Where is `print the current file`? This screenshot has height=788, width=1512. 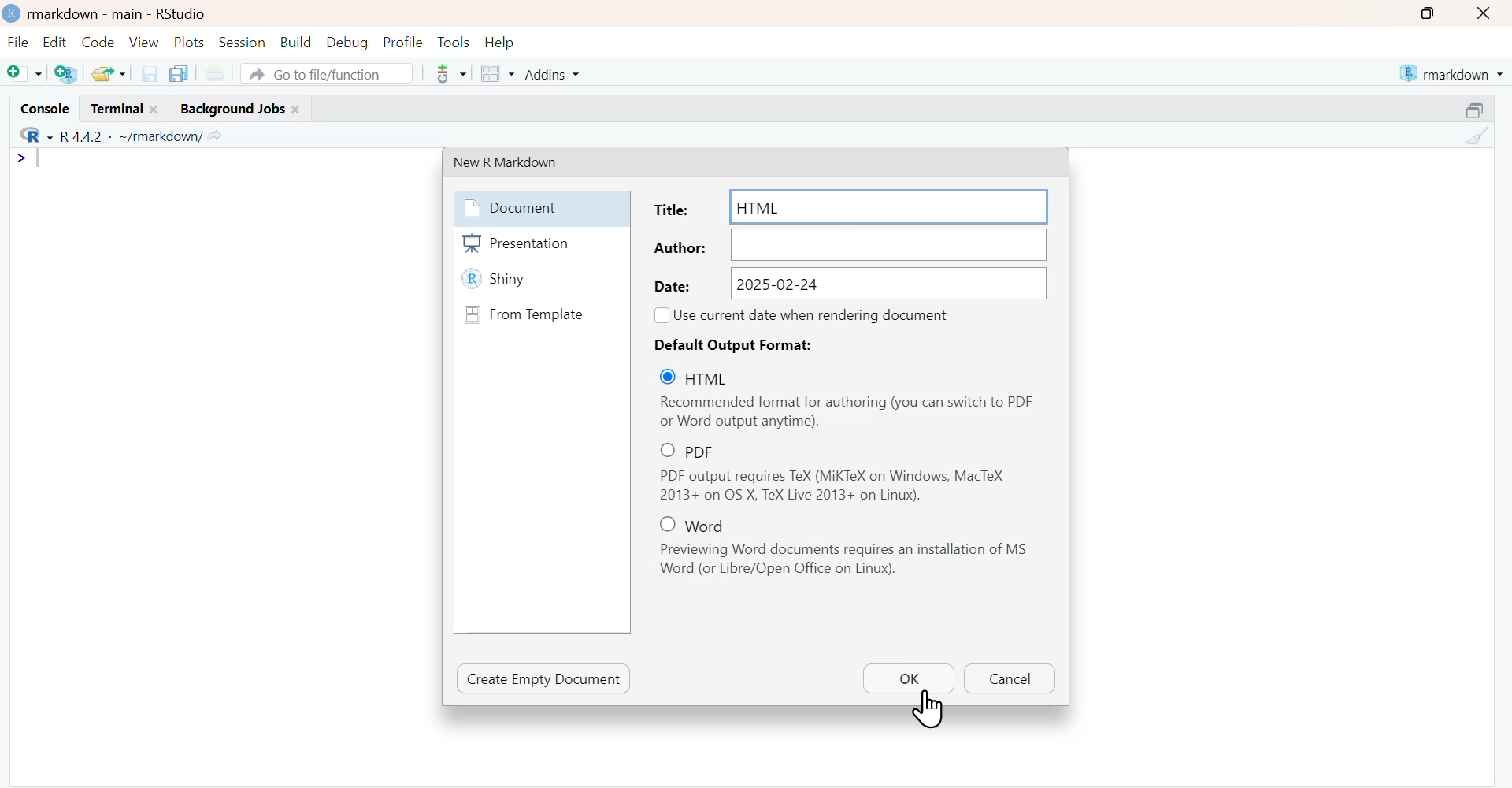
print the current file is located at coordinates (215, 74).